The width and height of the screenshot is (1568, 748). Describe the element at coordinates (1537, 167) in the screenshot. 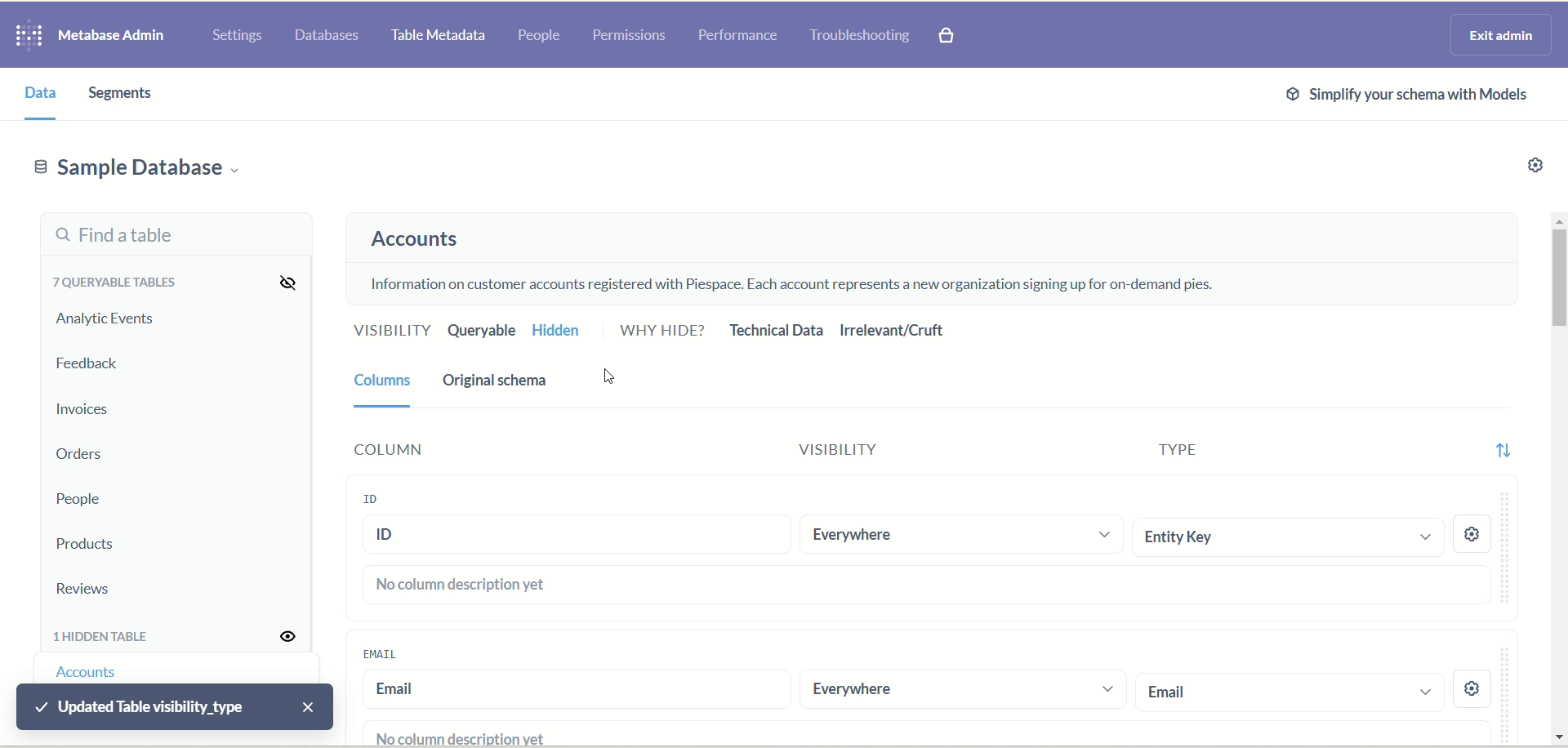

I see `settings` at that location.